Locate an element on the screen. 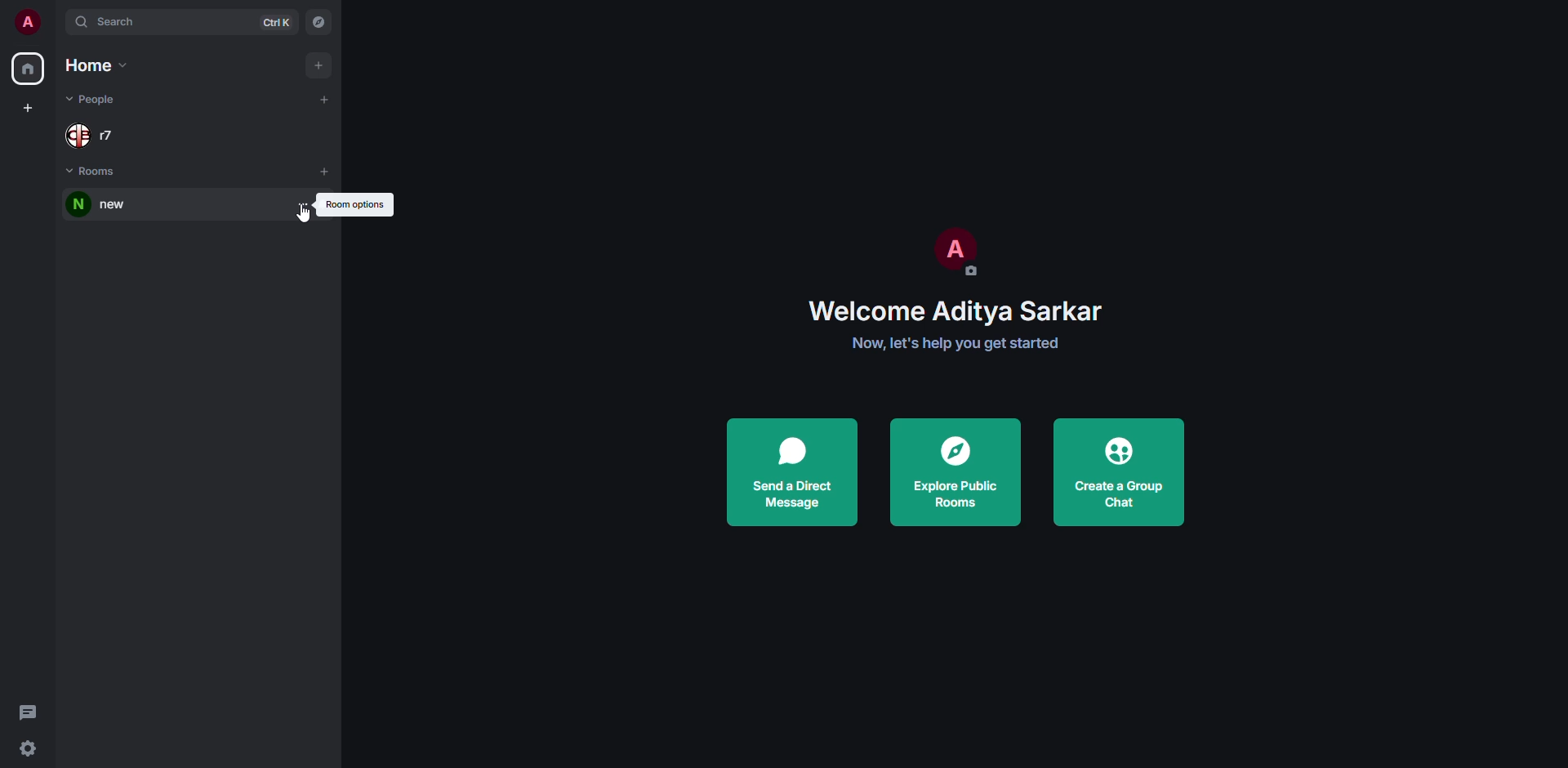 The width and height of the screenshot is (1568, 768). ctrl K is located at coordinates (276, 23).